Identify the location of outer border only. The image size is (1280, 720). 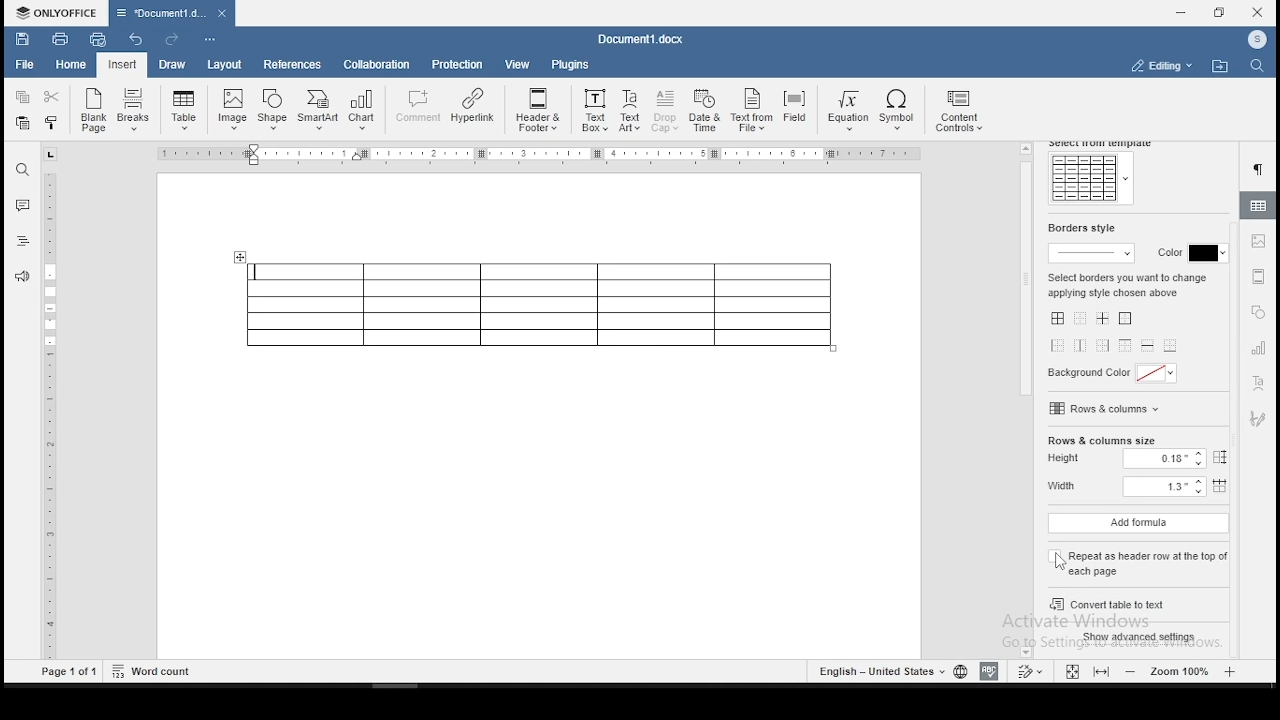
(1128, 319).